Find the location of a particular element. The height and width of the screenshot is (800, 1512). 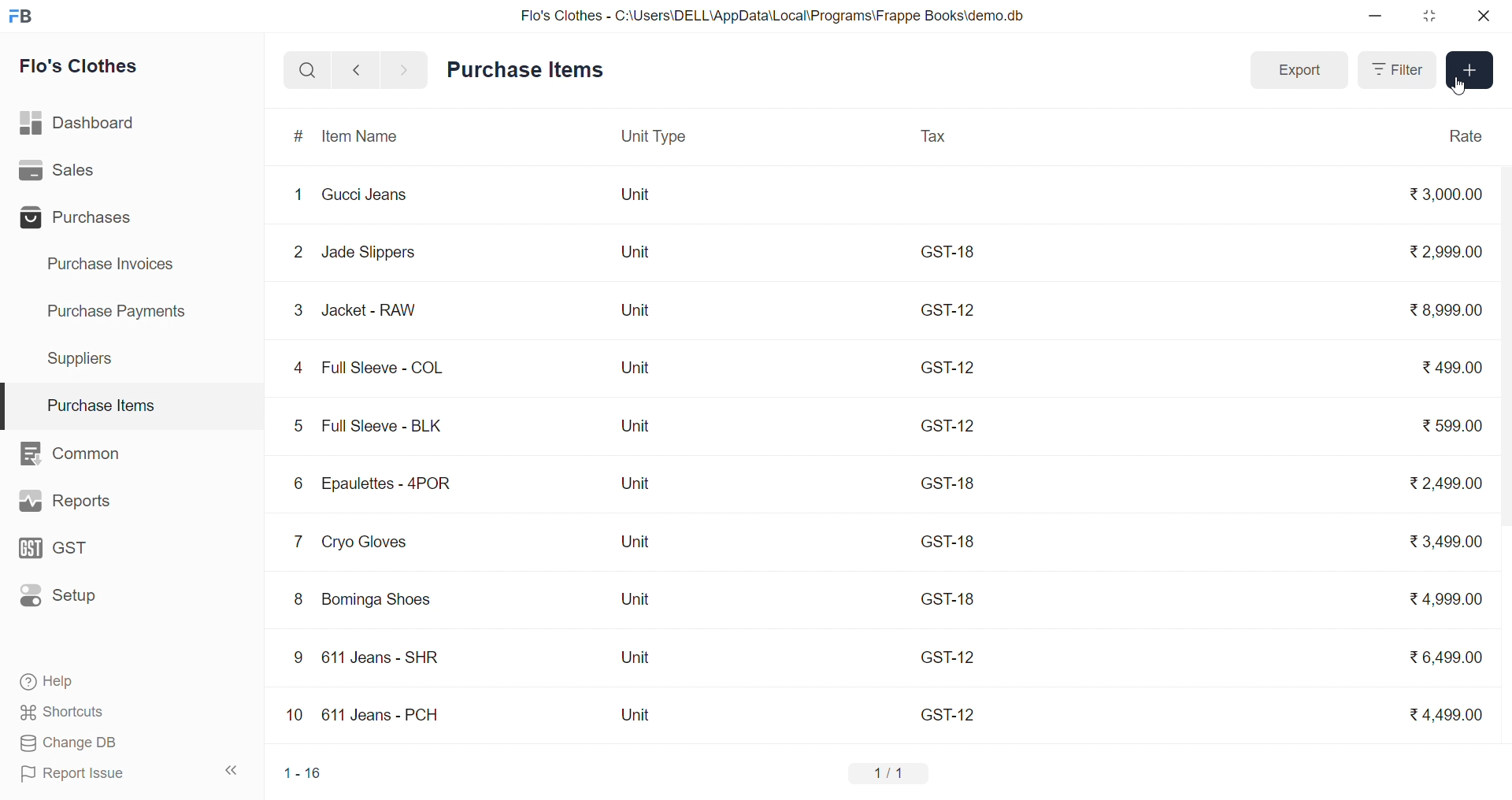

Report Issue is located at coordinates (98, 772).